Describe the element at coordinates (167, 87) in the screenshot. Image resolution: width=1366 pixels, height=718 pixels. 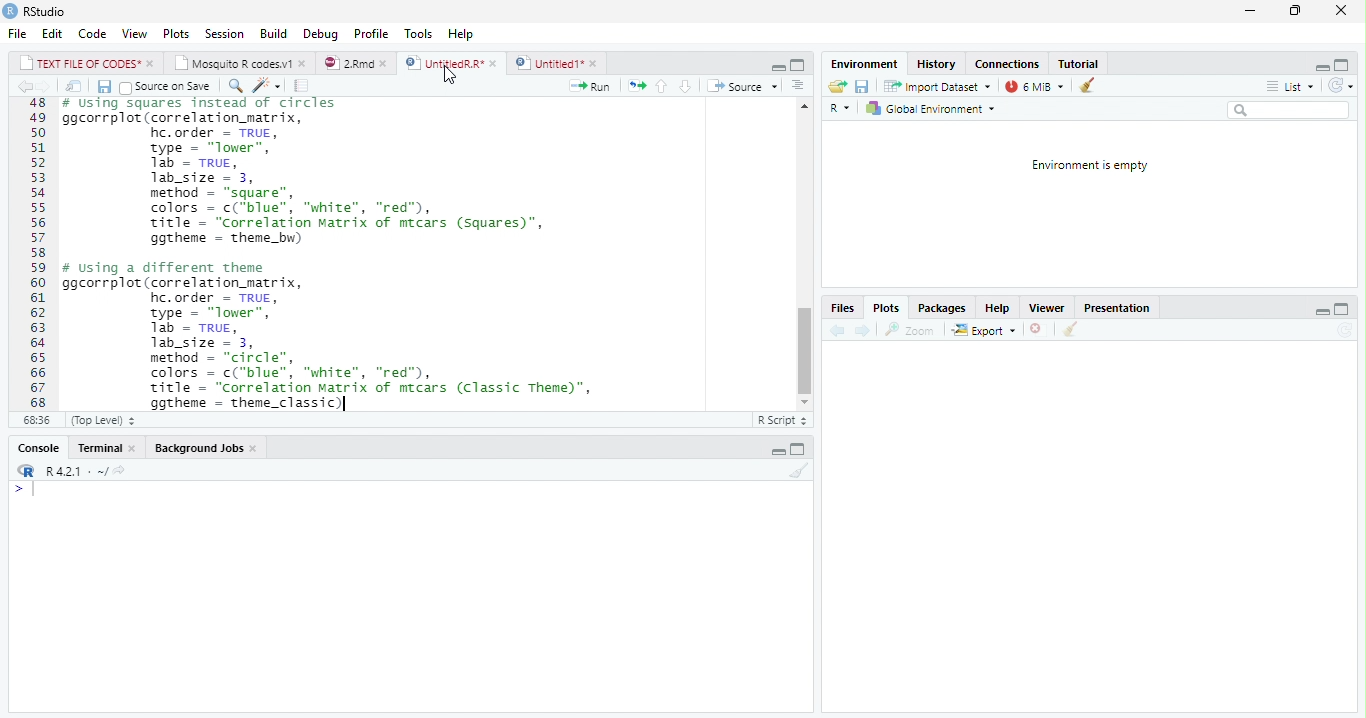
I see `Source on Save` at that location.